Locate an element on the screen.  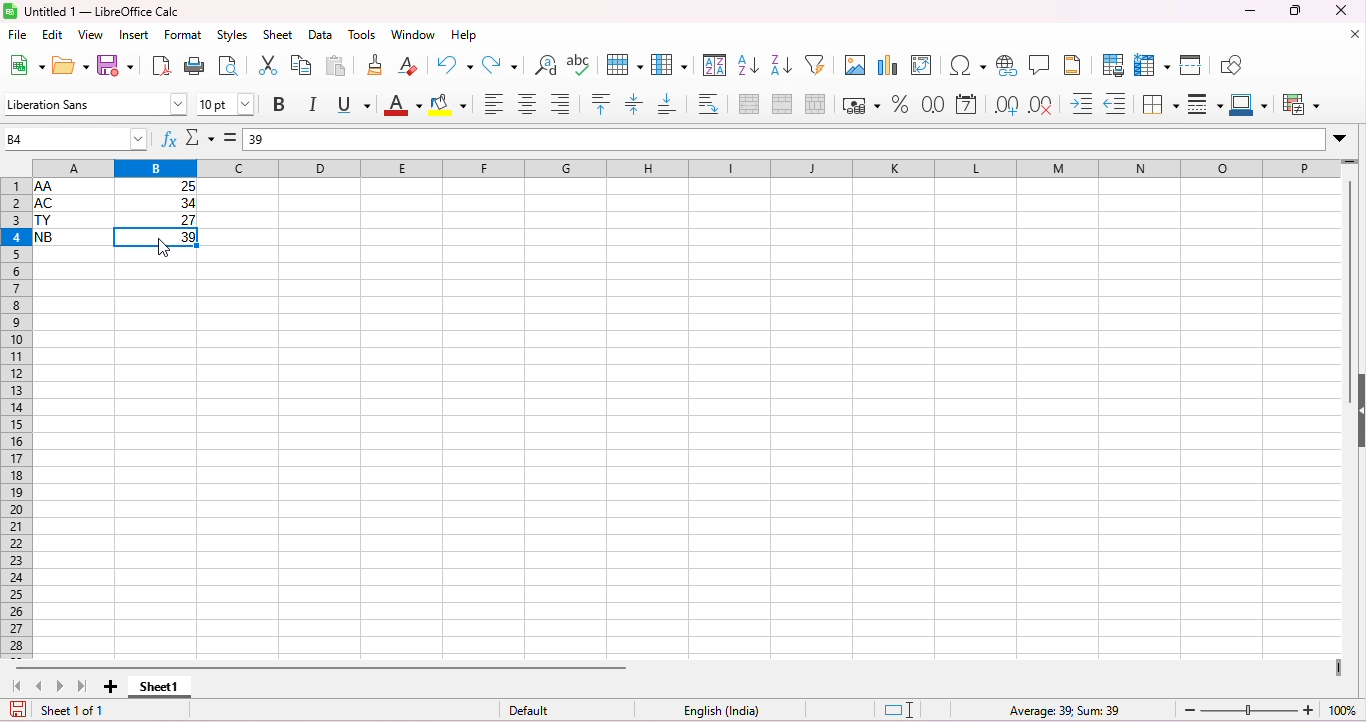
selected cell number is located at coordinates (77, 138).